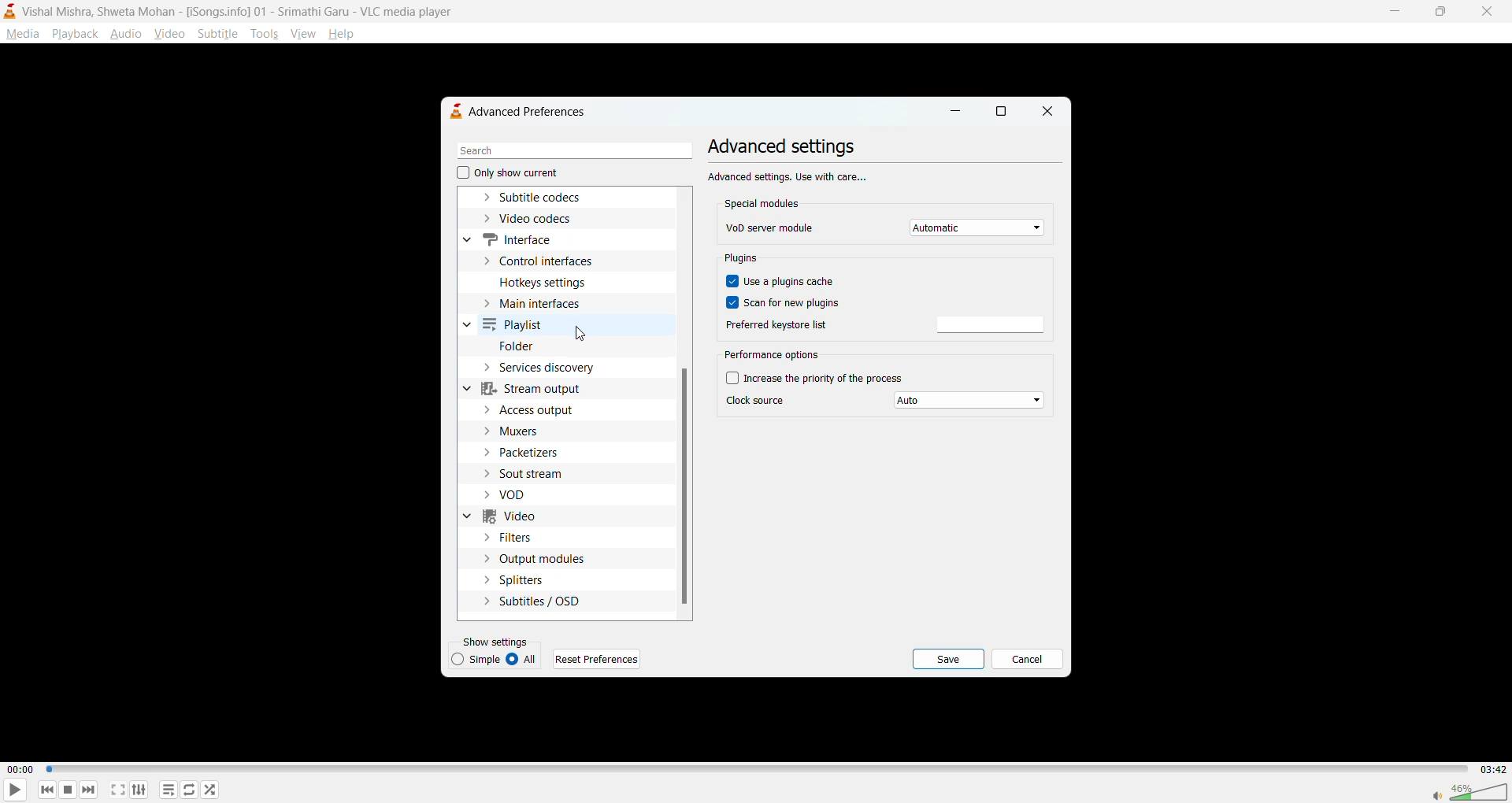  I want to click on loop, so click(187, 789).